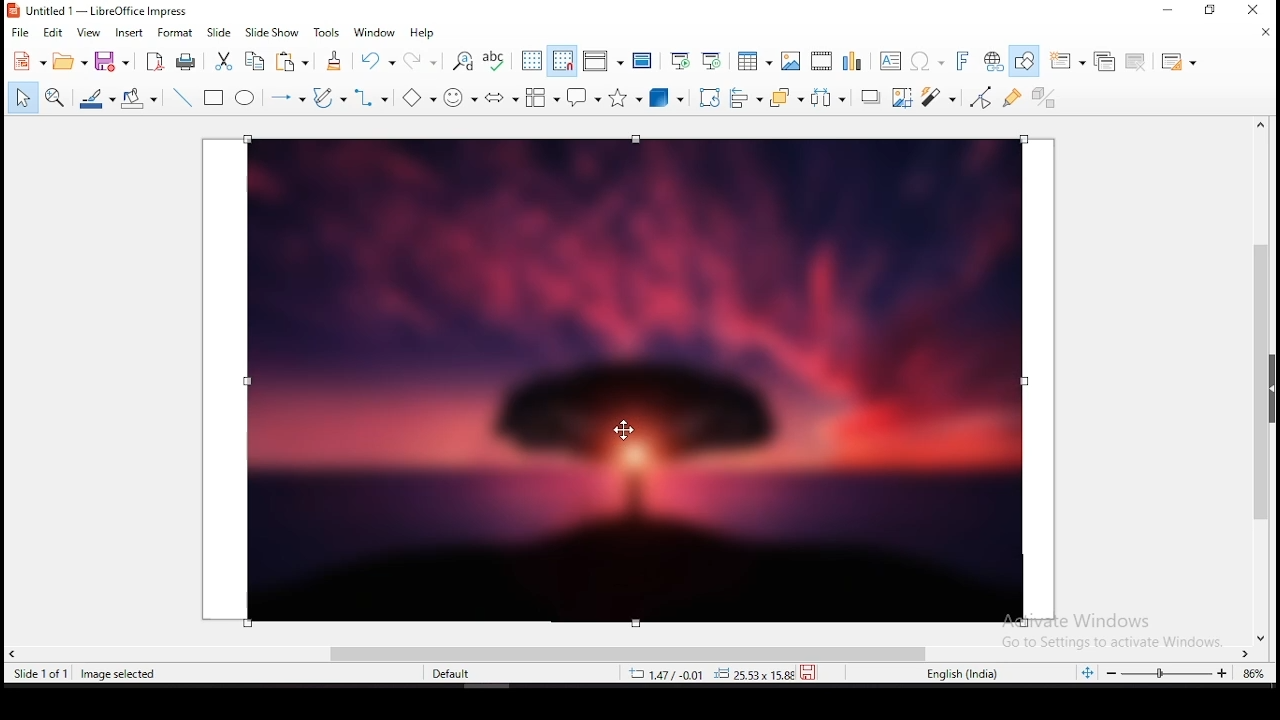  What do you see at coordinates (627, 98) in the screenshot?
I see `stars and banners` at bounding box center [627, 98].